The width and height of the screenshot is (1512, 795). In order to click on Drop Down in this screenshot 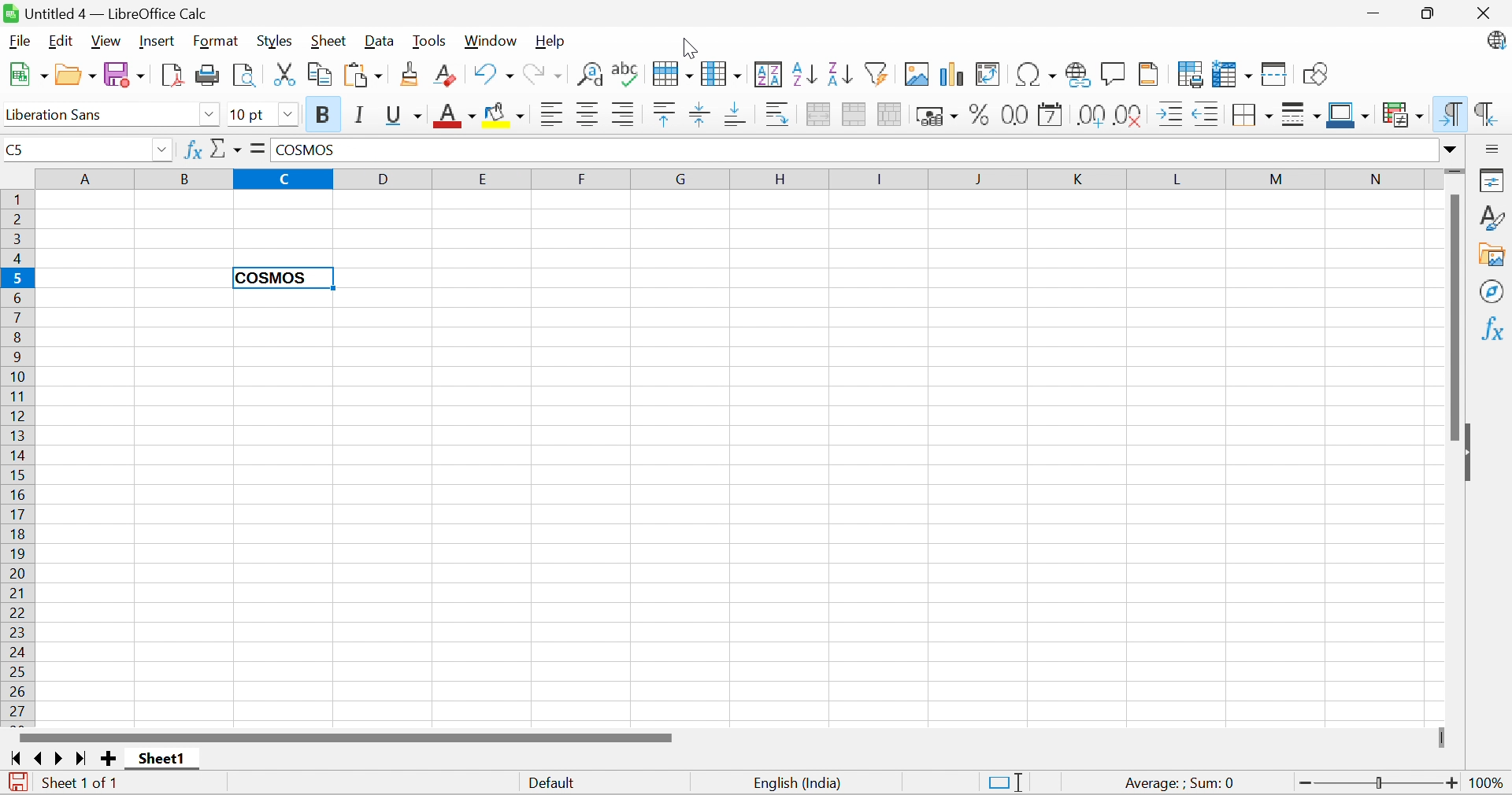, I will do `click(1452, 150)`.